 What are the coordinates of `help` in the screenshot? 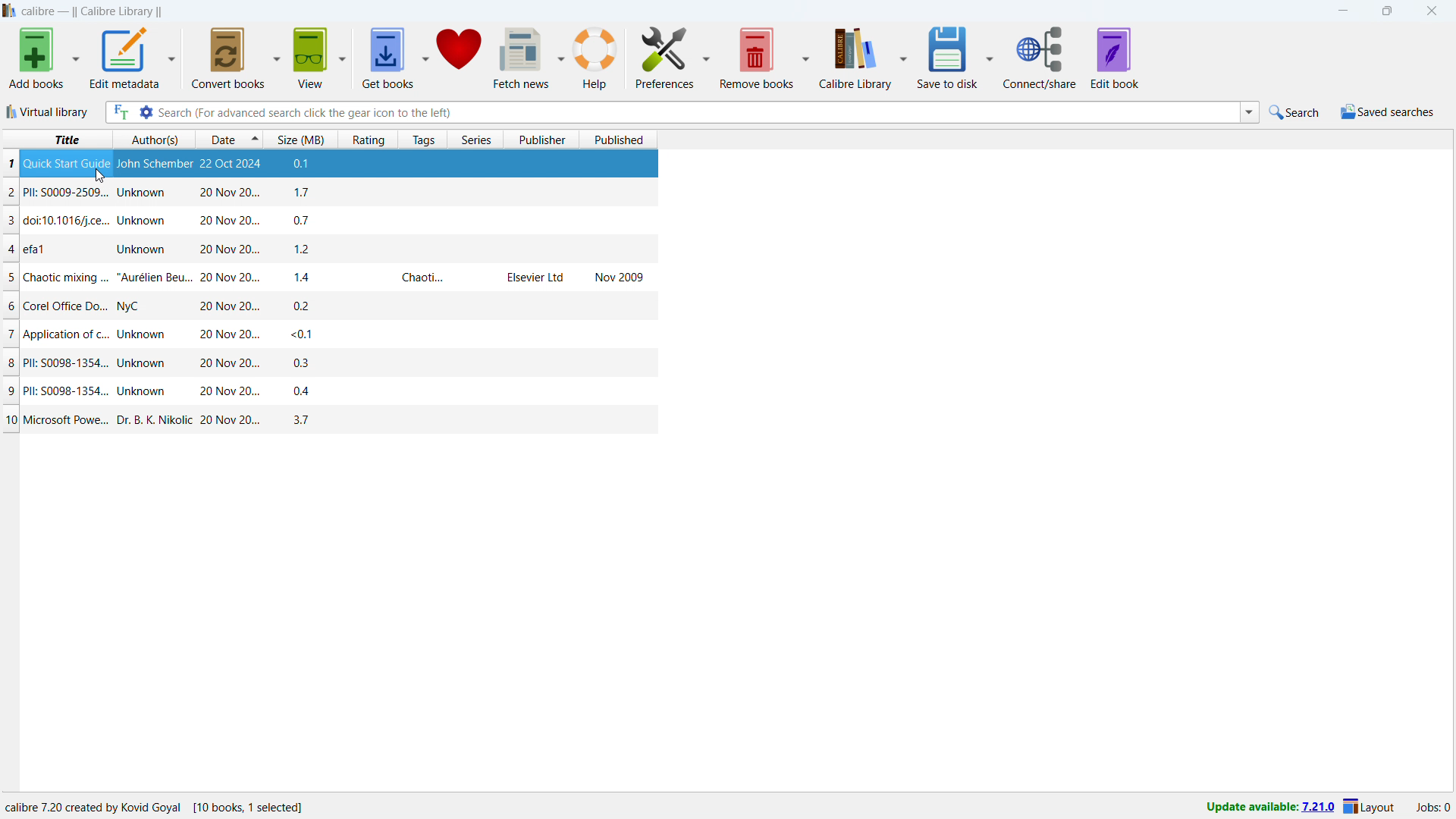 It's located at (595, 58).